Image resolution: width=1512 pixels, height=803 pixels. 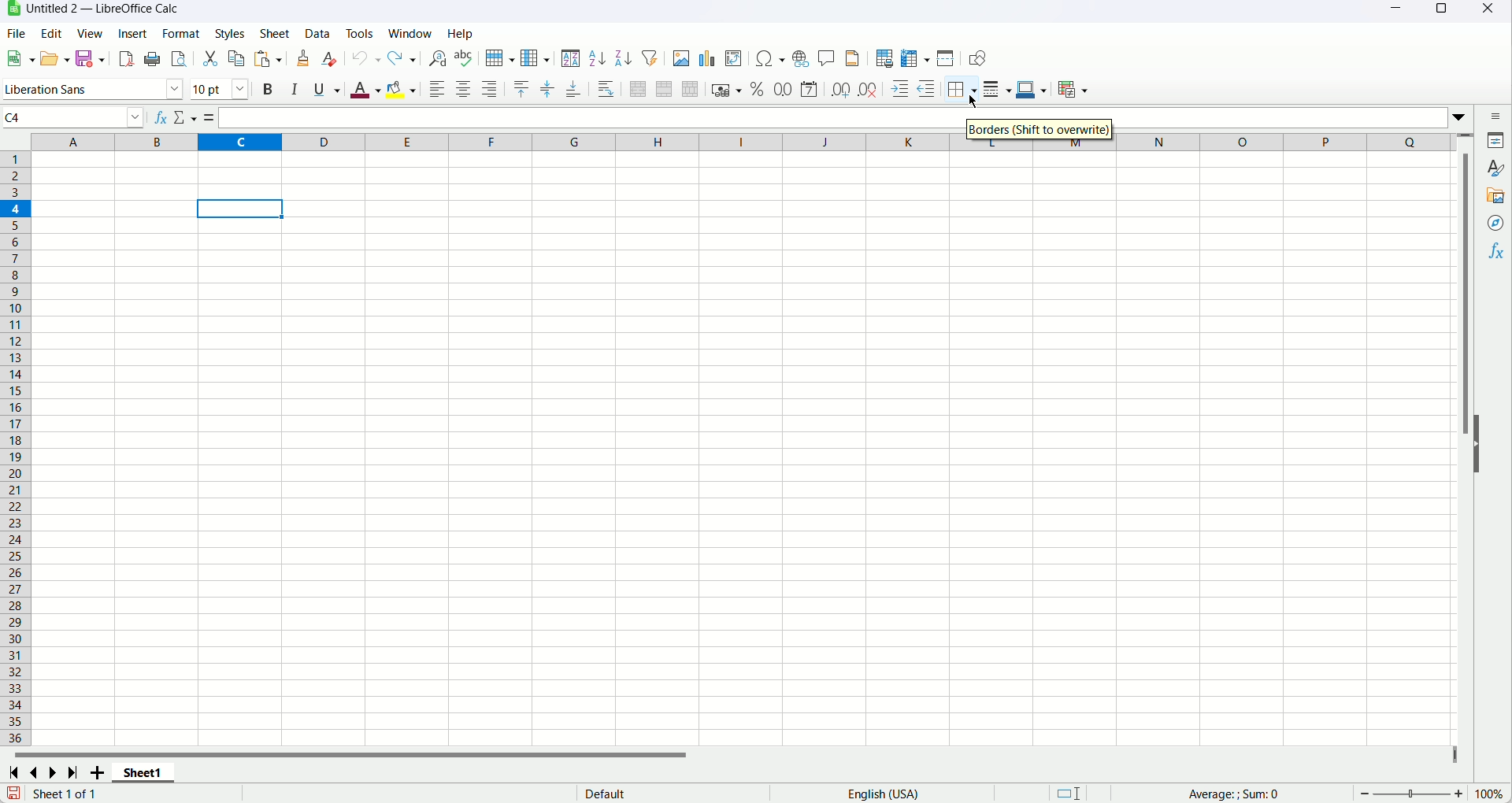 I want to click on Paste, so click(x=268, y=59).